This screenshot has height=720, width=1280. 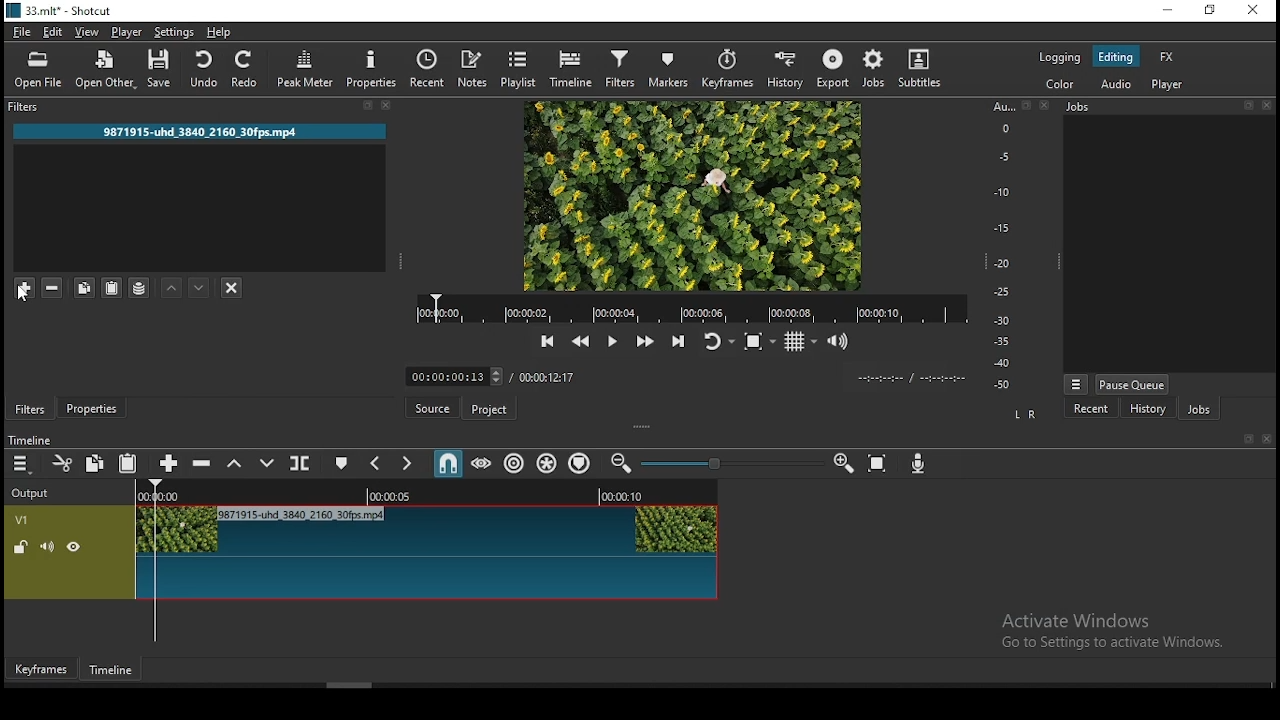 What do you see at coordinates (691, 307) in the screenshot?
I see `video time duration bar` at bounding box center [691, 307].